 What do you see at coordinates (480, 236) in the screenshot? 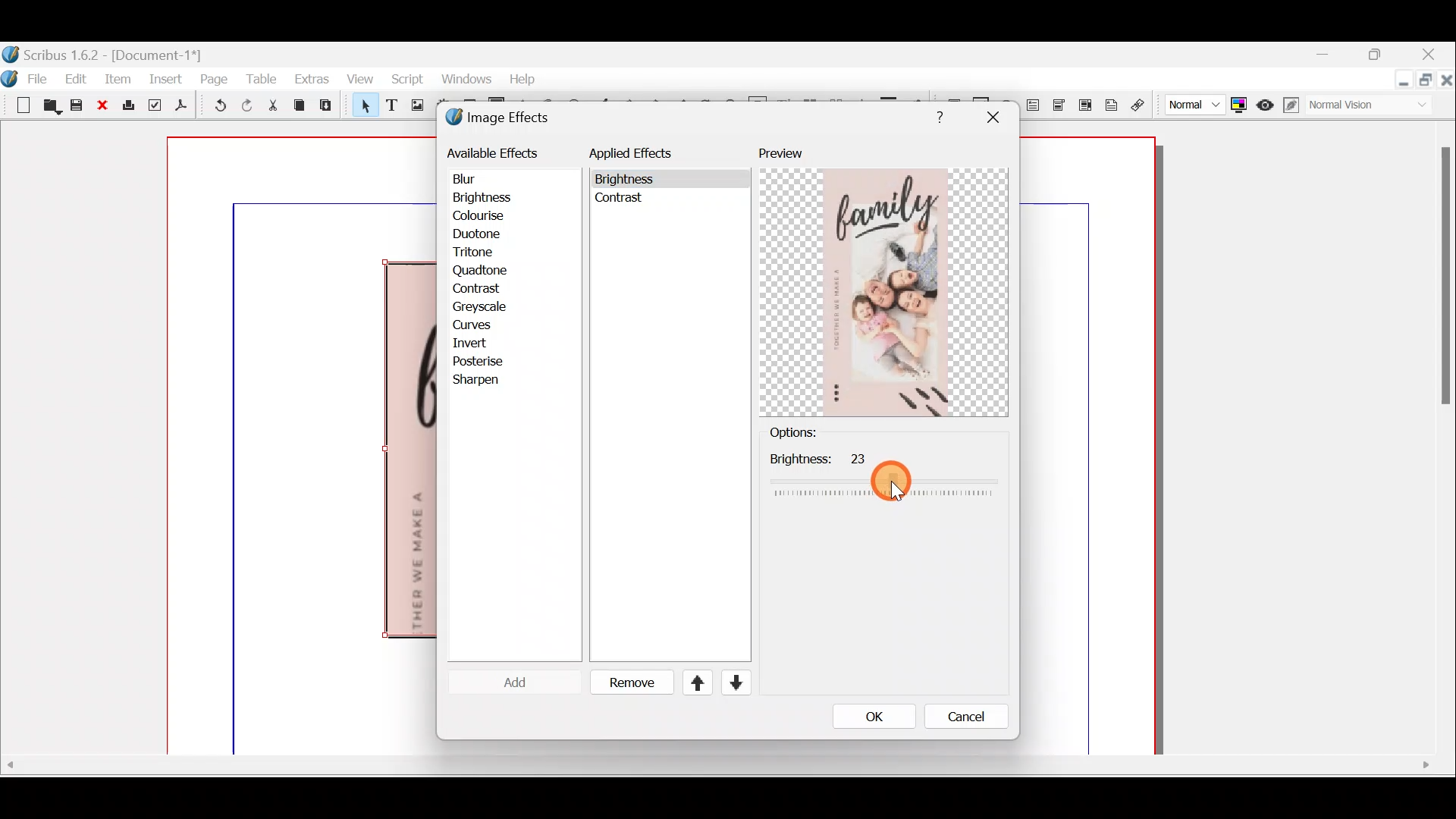
I see `Duotone` at bounding box center [480, 236].